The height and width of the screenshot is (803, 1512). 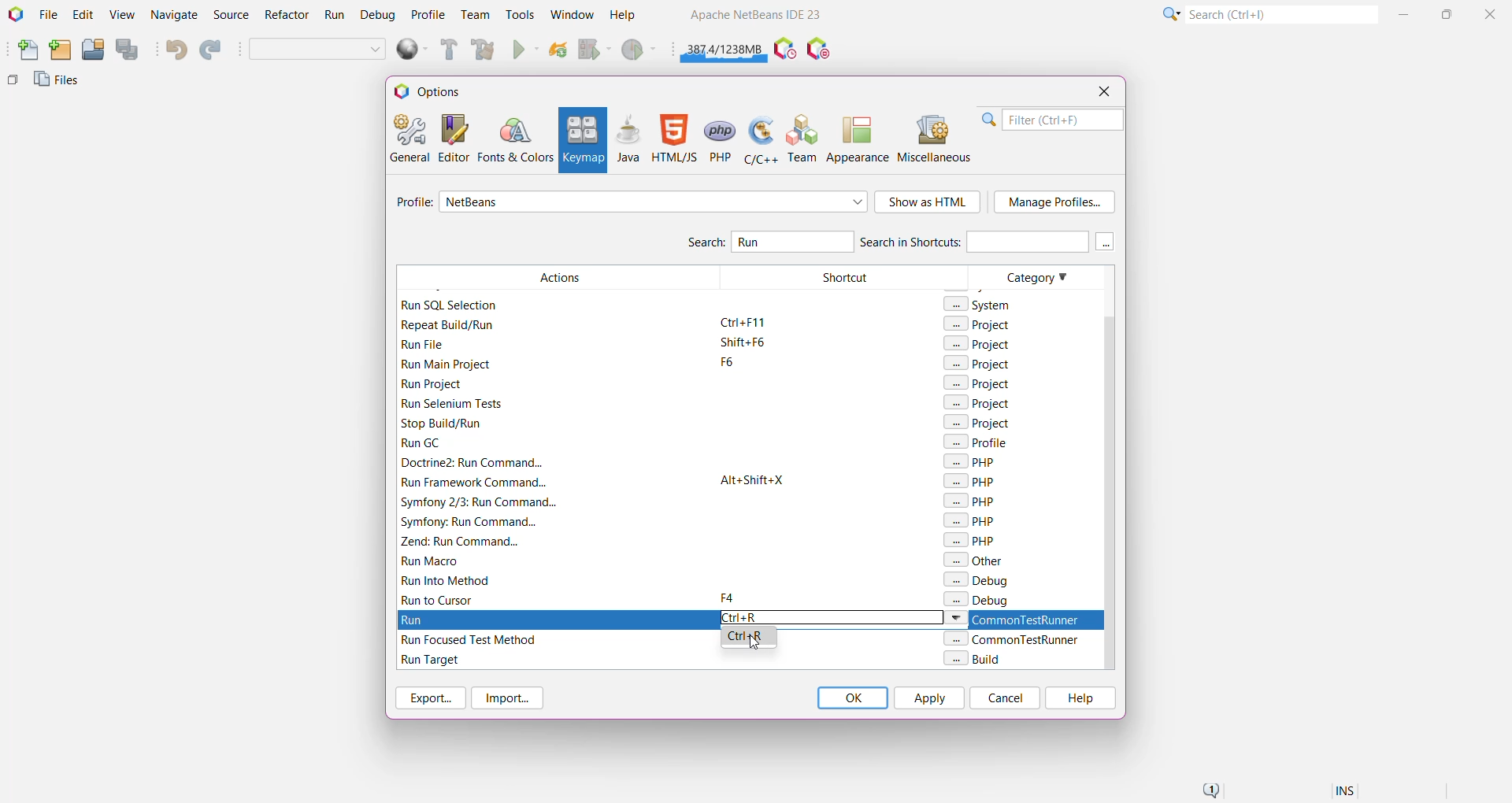 What do you see at coordinates (581, 140) in the screenshot?
I see `Keymap` at bounding box center [581, 140].